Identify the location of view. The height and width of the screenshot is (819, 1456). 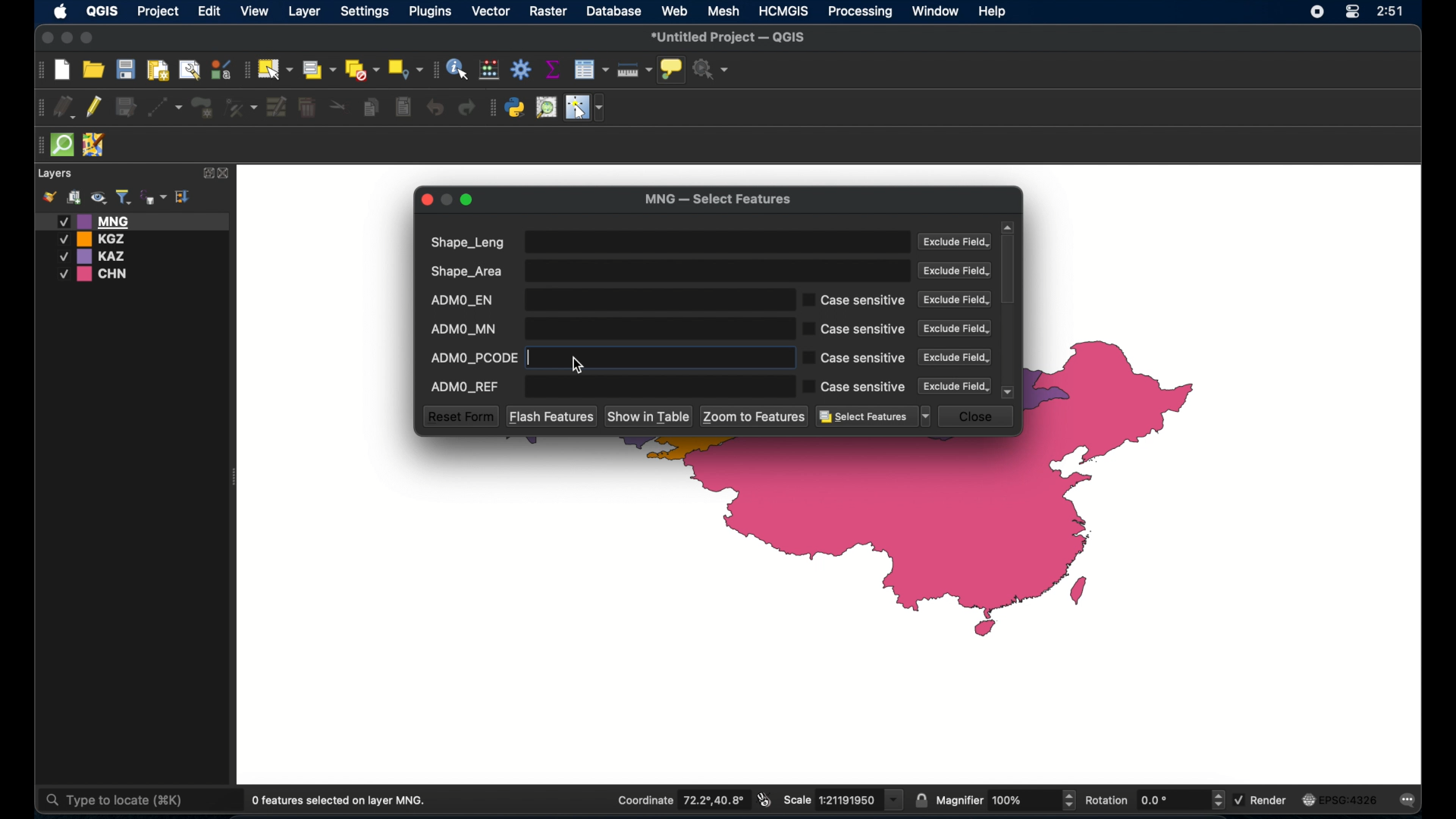
(256, 11).